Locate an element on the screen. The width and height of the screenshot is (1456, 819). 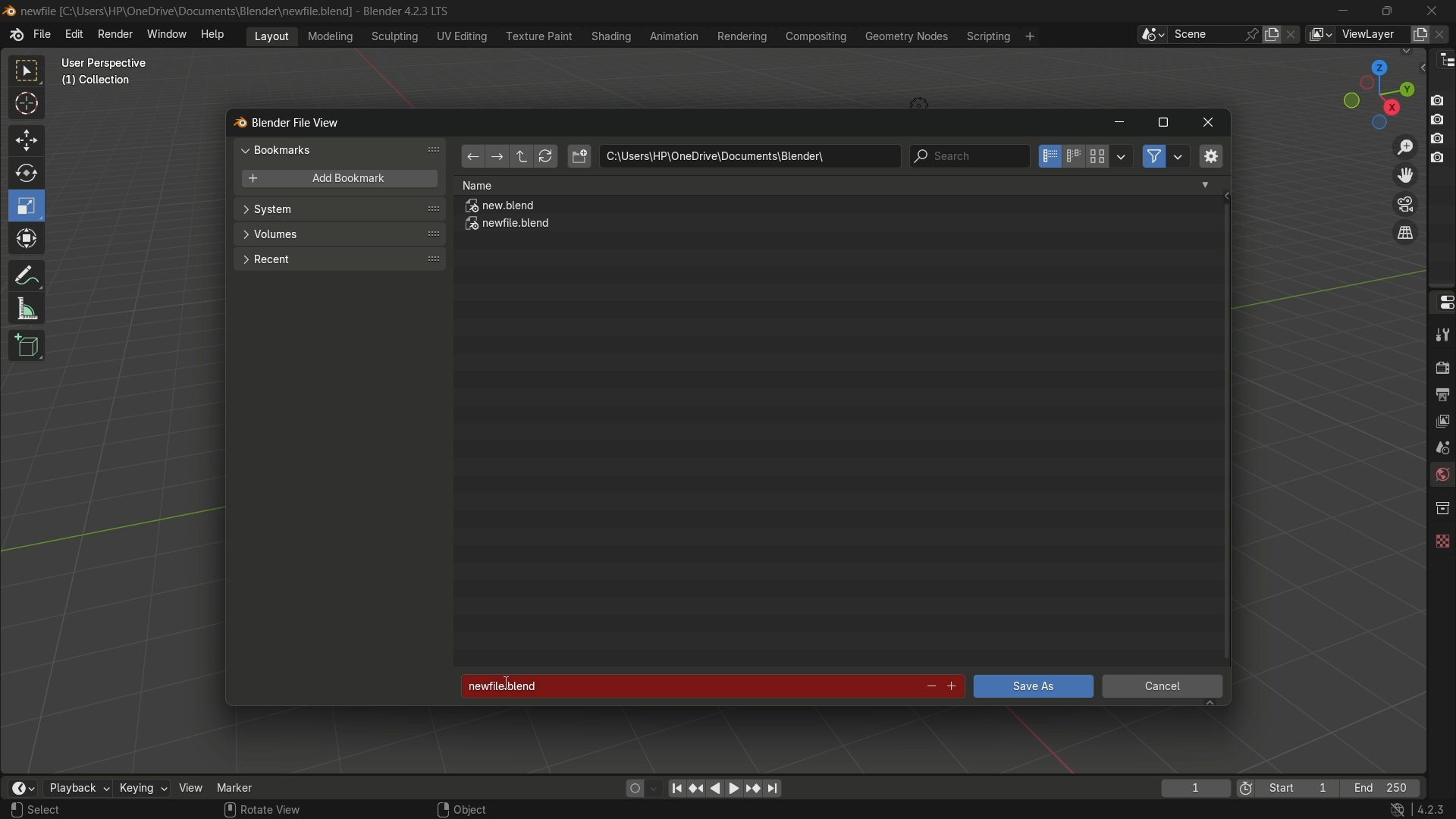
texture is located at coordinates (1441, 538).